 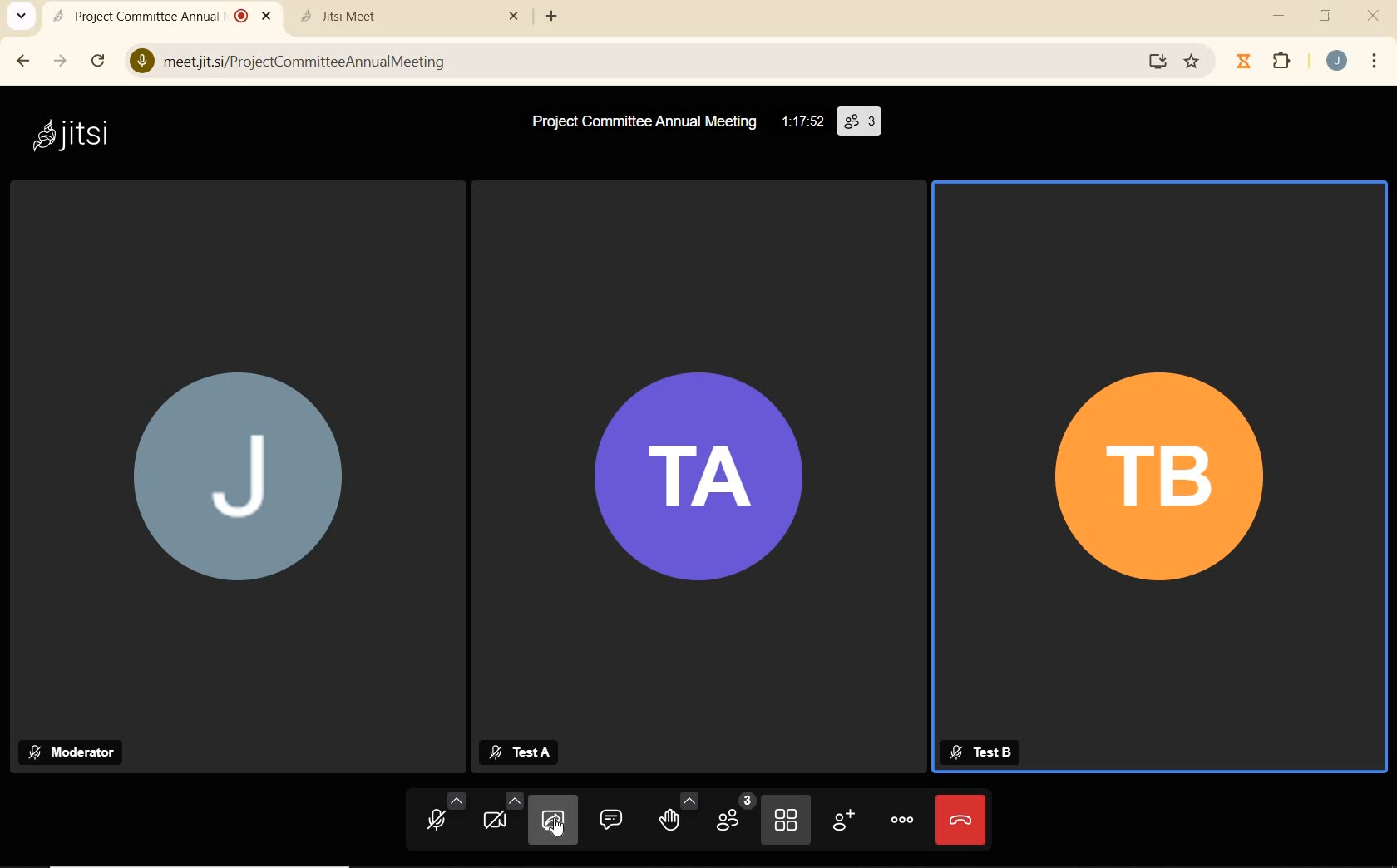 What do you see at coordinates (101, 60) in the screenshot?
I see `RELOAD` at bounding box center [101, 60].